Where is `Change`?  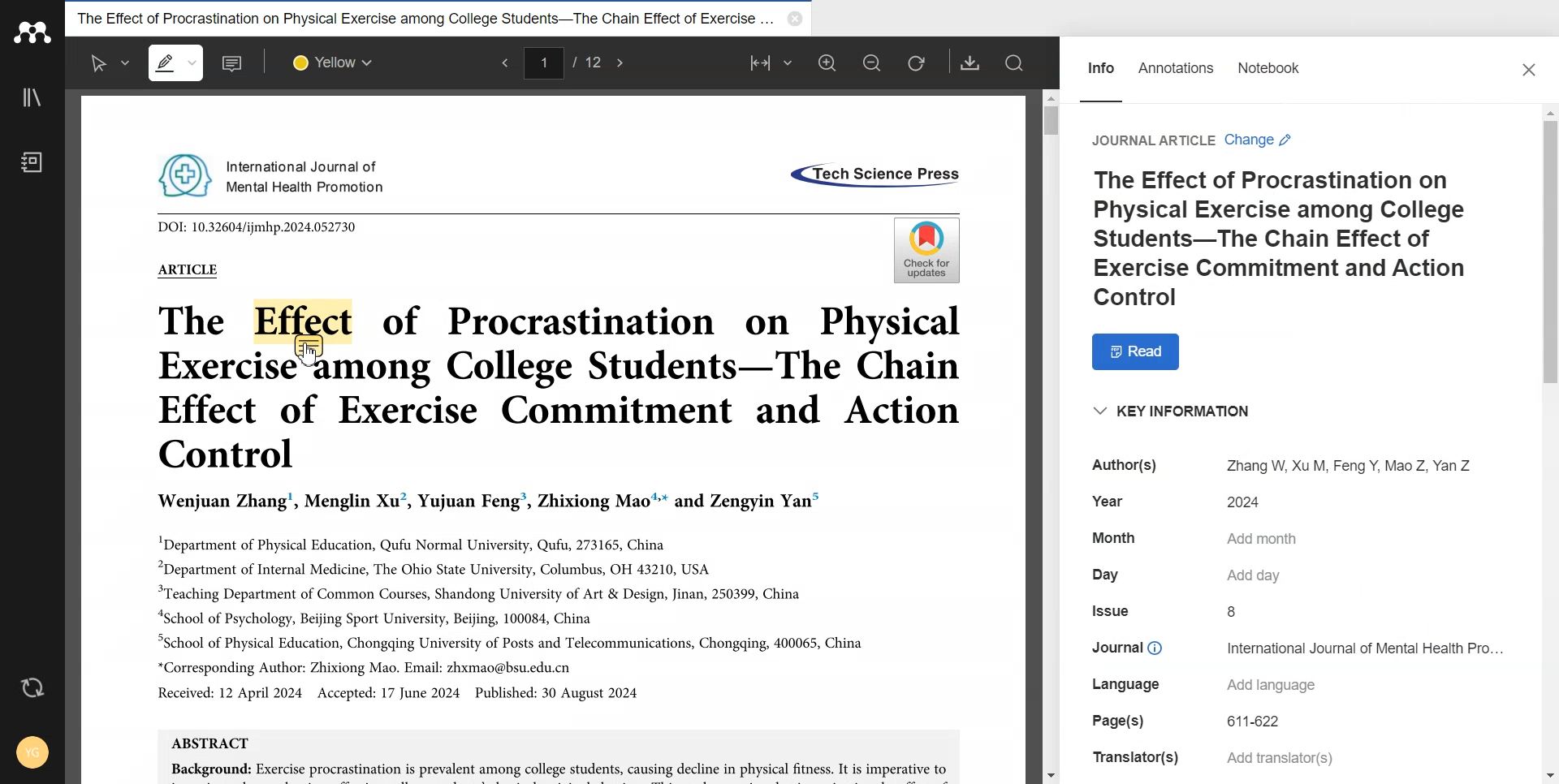
Change is located at coordinates (1262, 140).